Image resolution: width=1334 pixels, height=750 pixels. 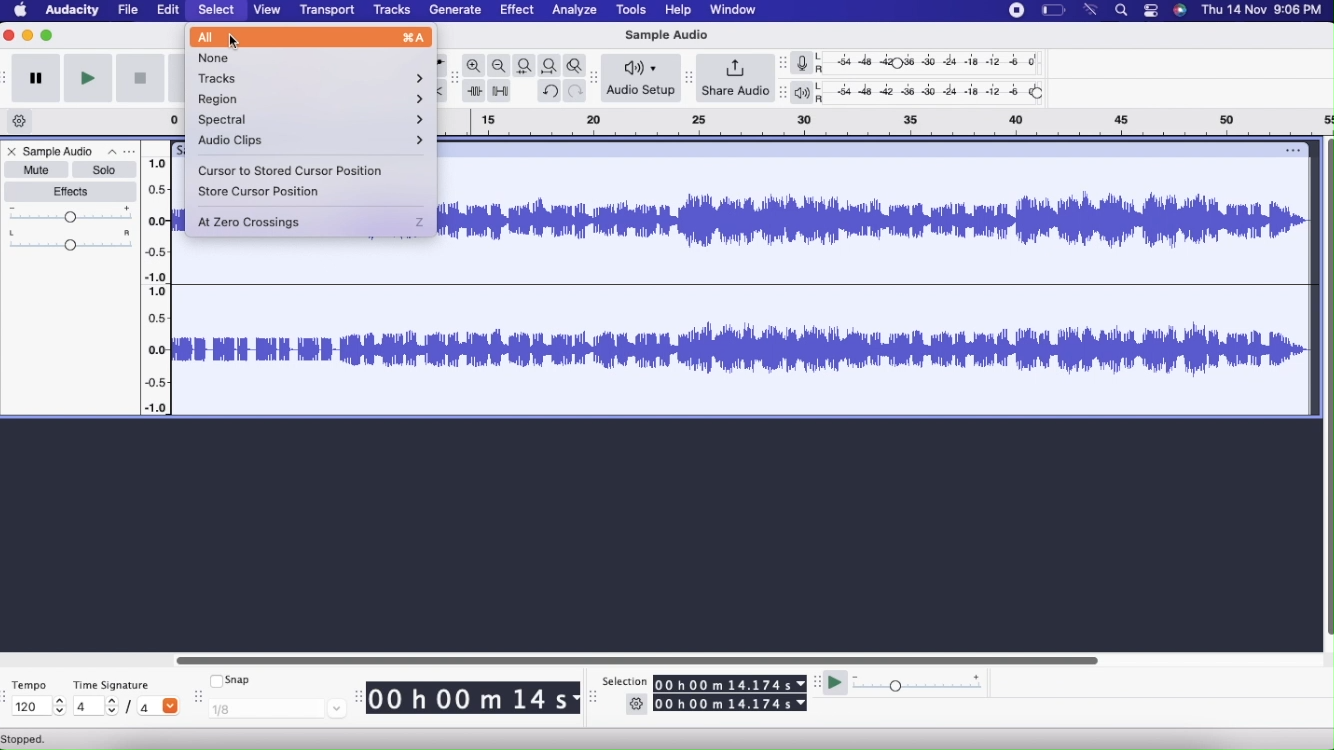 What do you see at coordinates (22, 121) in the screenshot?
I see `Timeline options` at bounding box center [22, 121].